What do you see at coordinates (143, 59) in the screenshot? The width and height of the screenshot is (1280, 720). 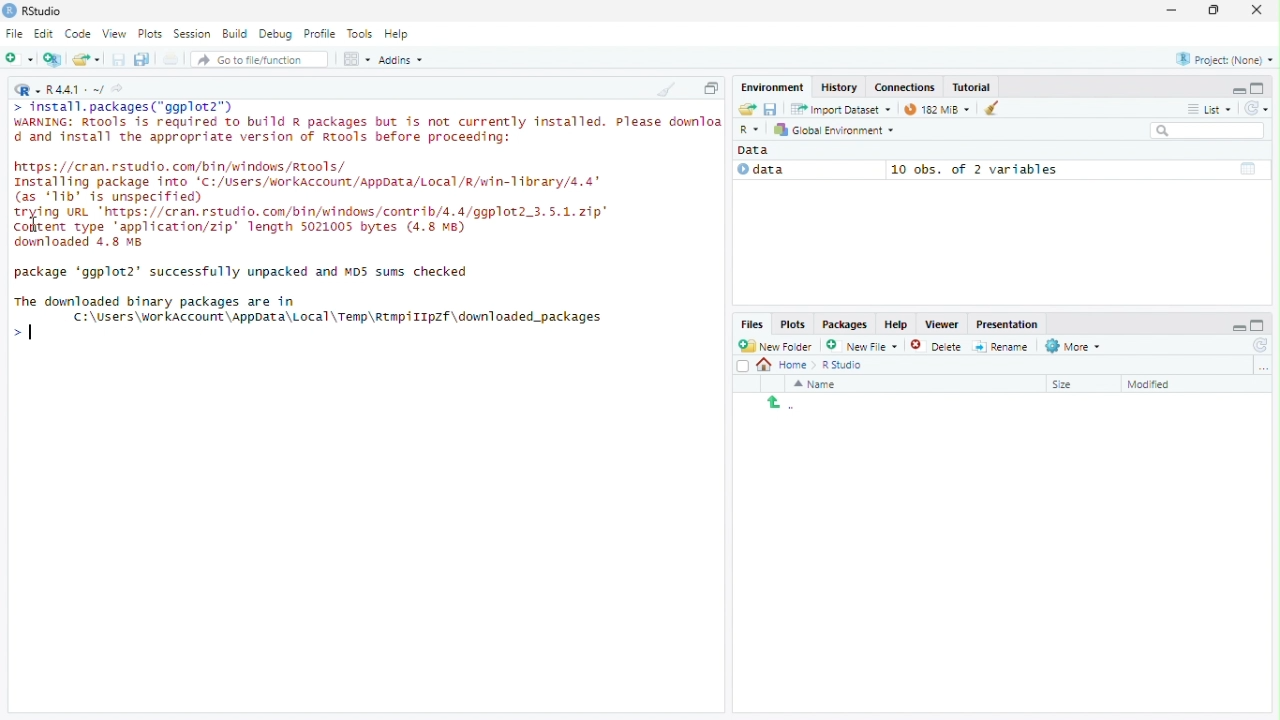 I see `save all open documents` at bounding box center [143, 59].